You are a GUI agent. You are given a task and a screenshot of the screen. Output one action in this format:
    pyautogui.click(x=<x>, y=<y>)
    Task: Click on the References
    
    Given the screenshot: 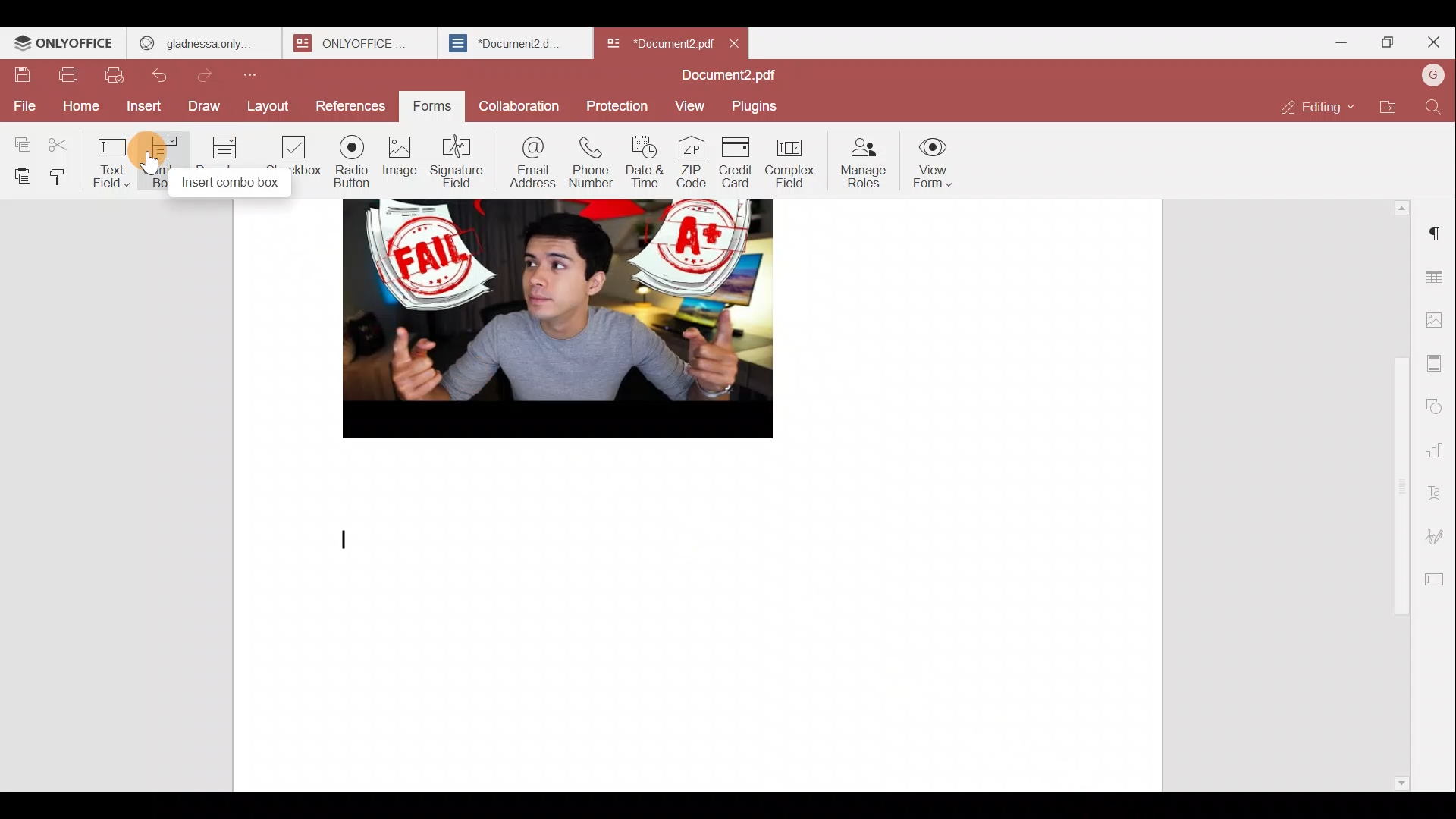 What is the action you would take?
    pyautogui.click(x=347, y=104)
    